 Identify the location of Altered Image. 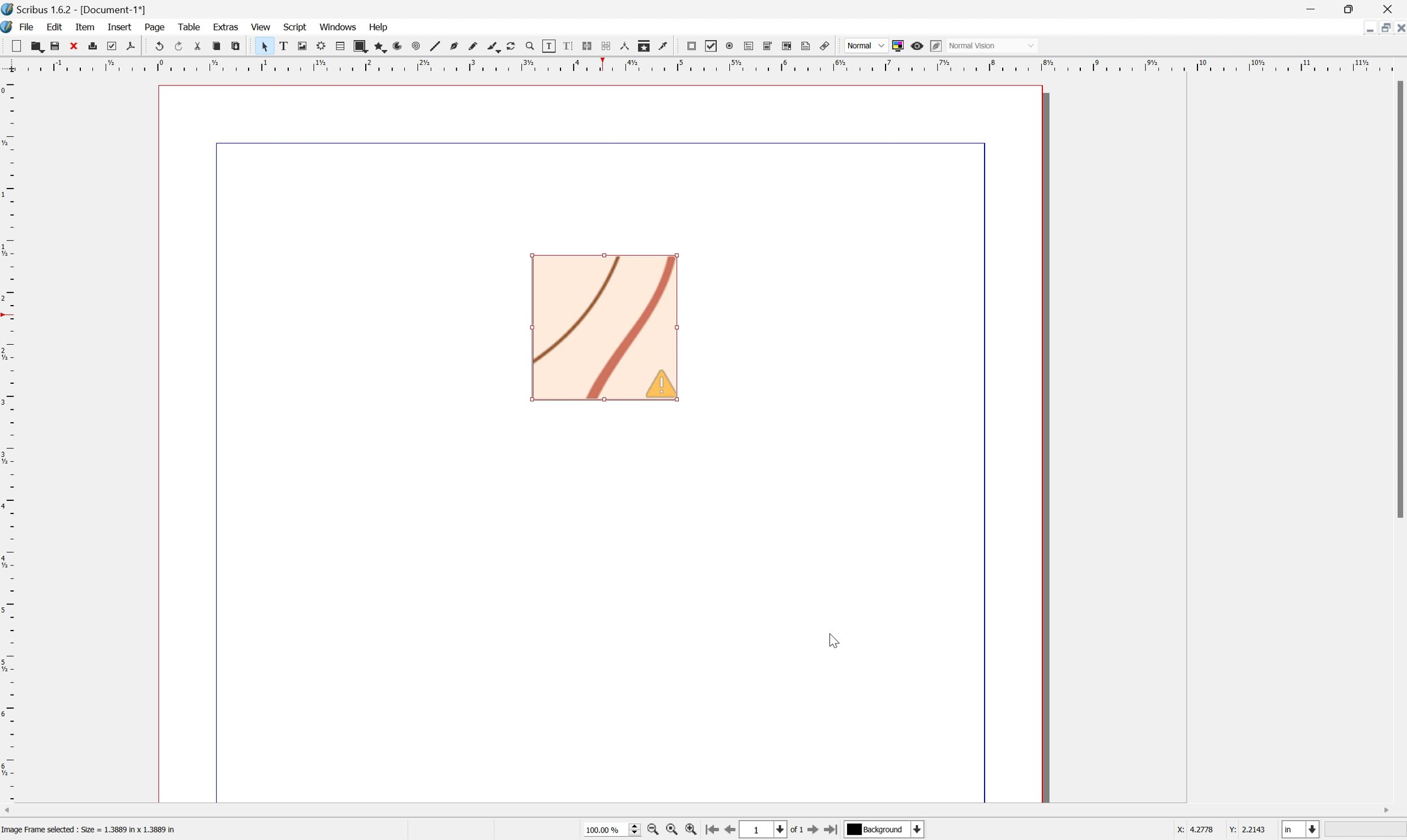
(604, 327).